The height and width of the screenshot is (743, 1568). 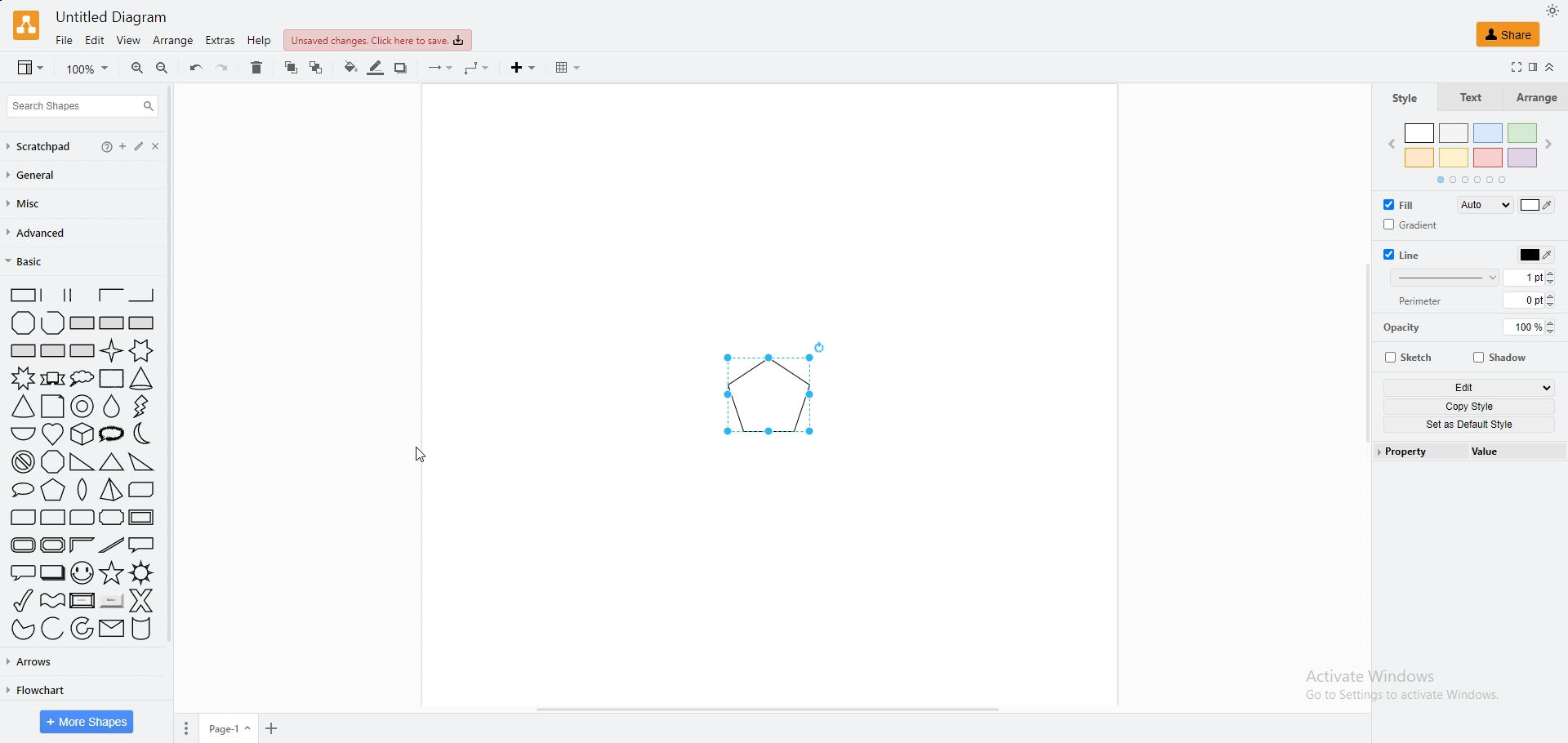 What do you see at coordinates (143, 516) in the screenshot?
I see `frame` at bounding box center [143, 516].